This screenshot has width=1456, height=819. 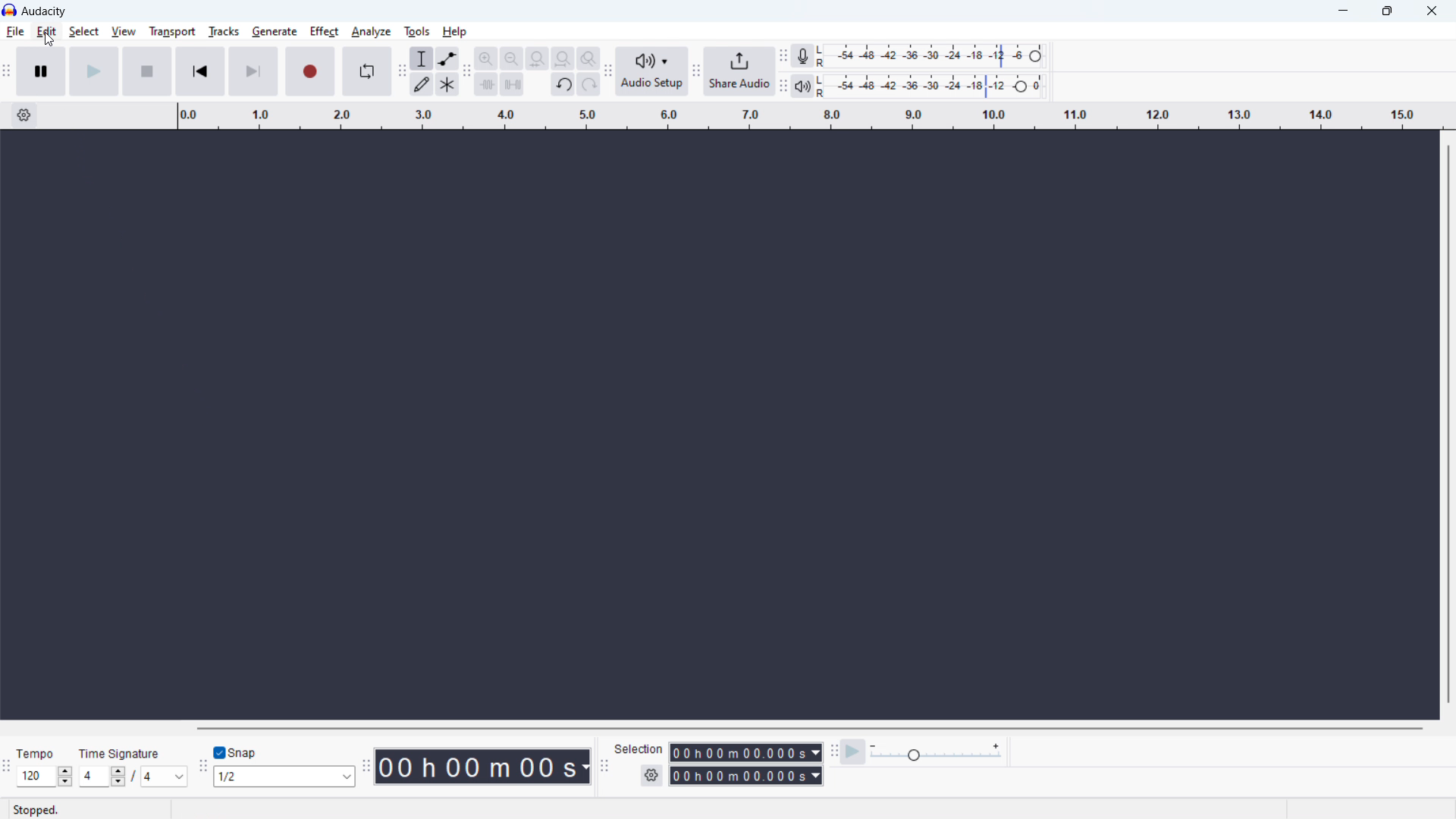 What do you see at coordinates (816, 752) in the screenshot?
I see `Duration measurement` at bounding box center [816, 752].